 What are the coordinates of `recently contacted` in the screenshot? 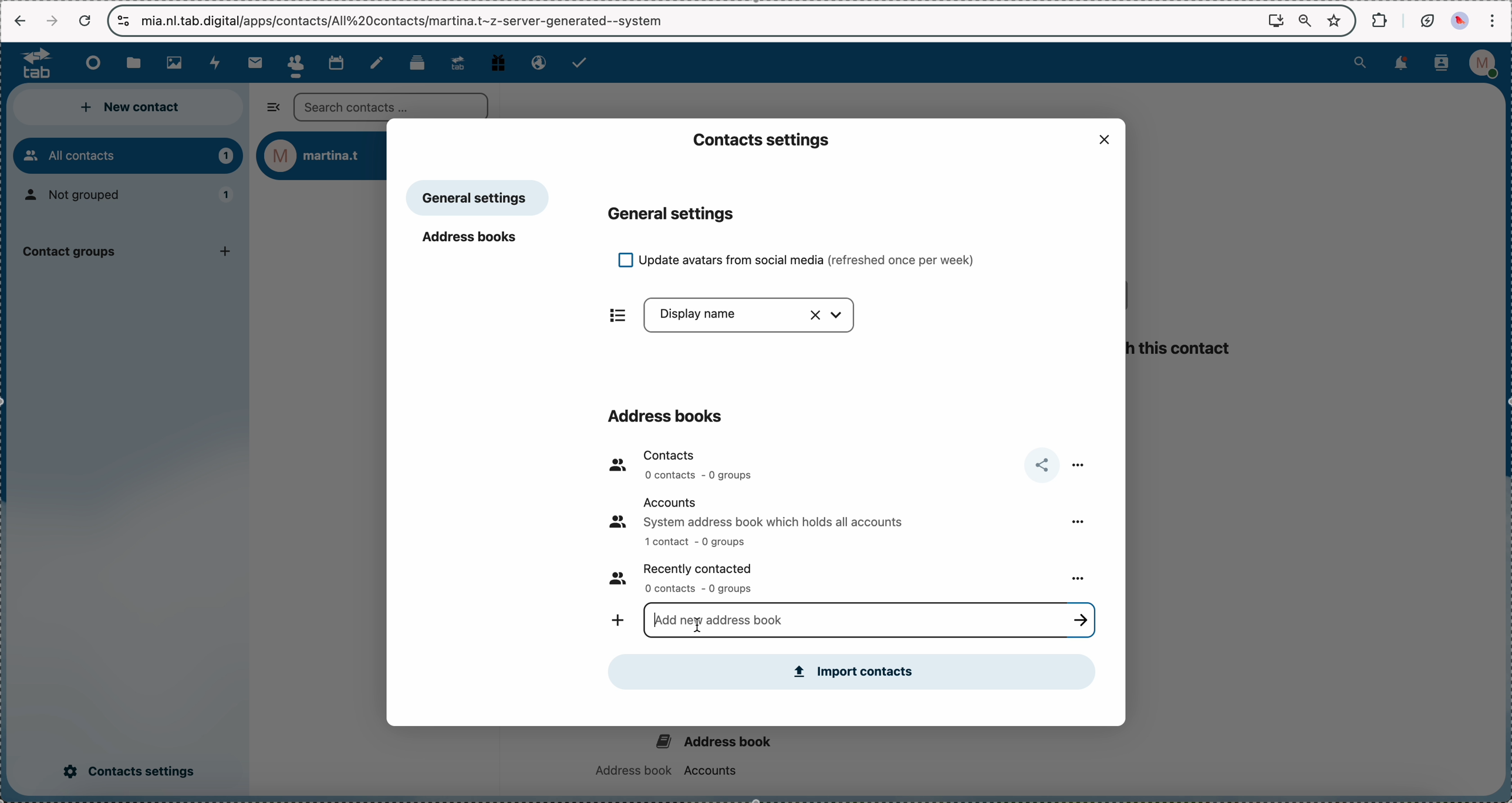 It's located at (691, 577).